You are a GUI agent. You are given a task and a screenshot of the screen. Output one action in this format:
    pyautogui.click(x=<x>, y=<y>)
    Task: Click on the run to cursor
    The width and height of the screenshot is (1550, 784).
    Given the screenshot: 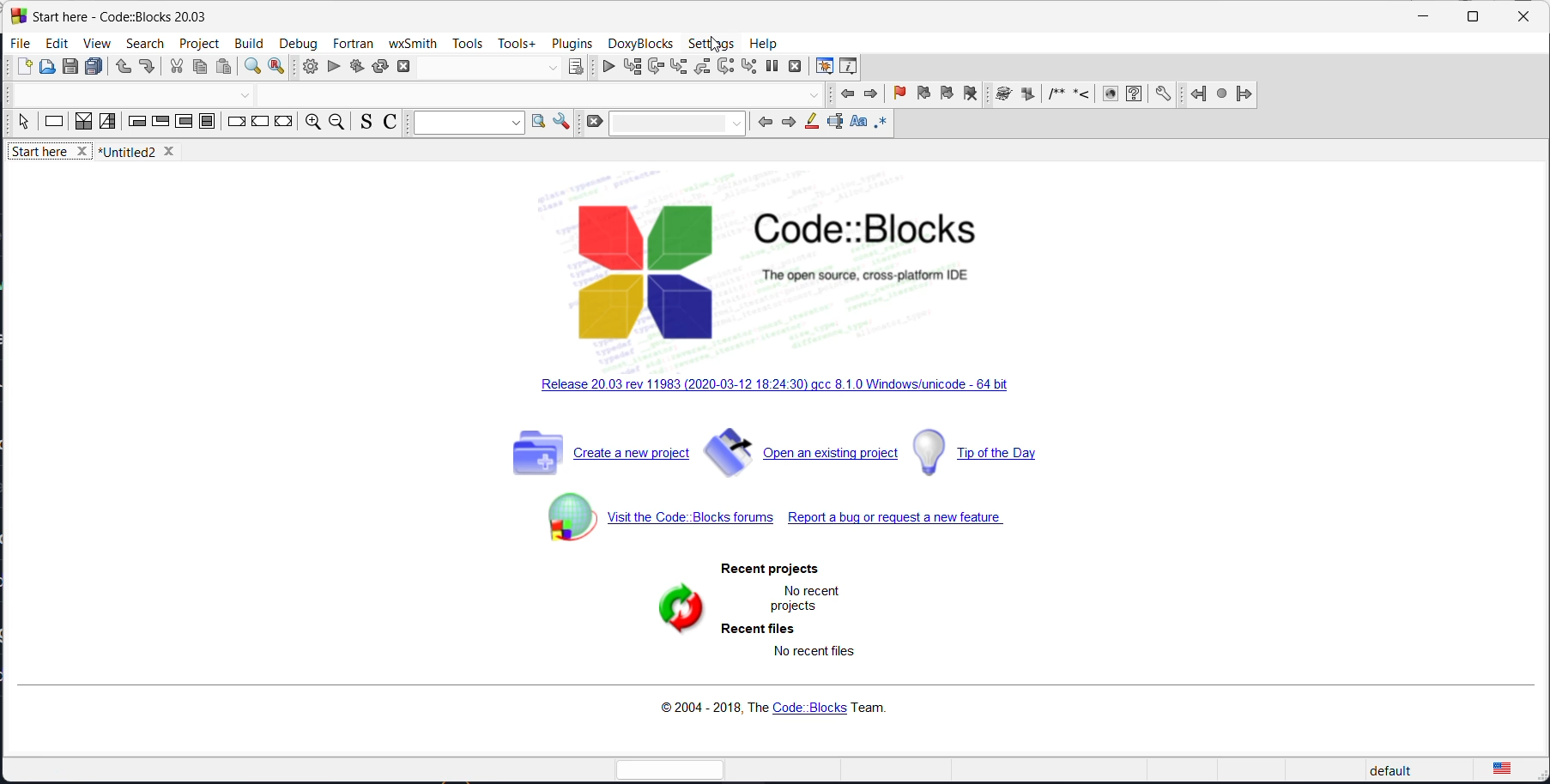 What is the action you would take?
    pyautogui.click(x=630, y=67)
    